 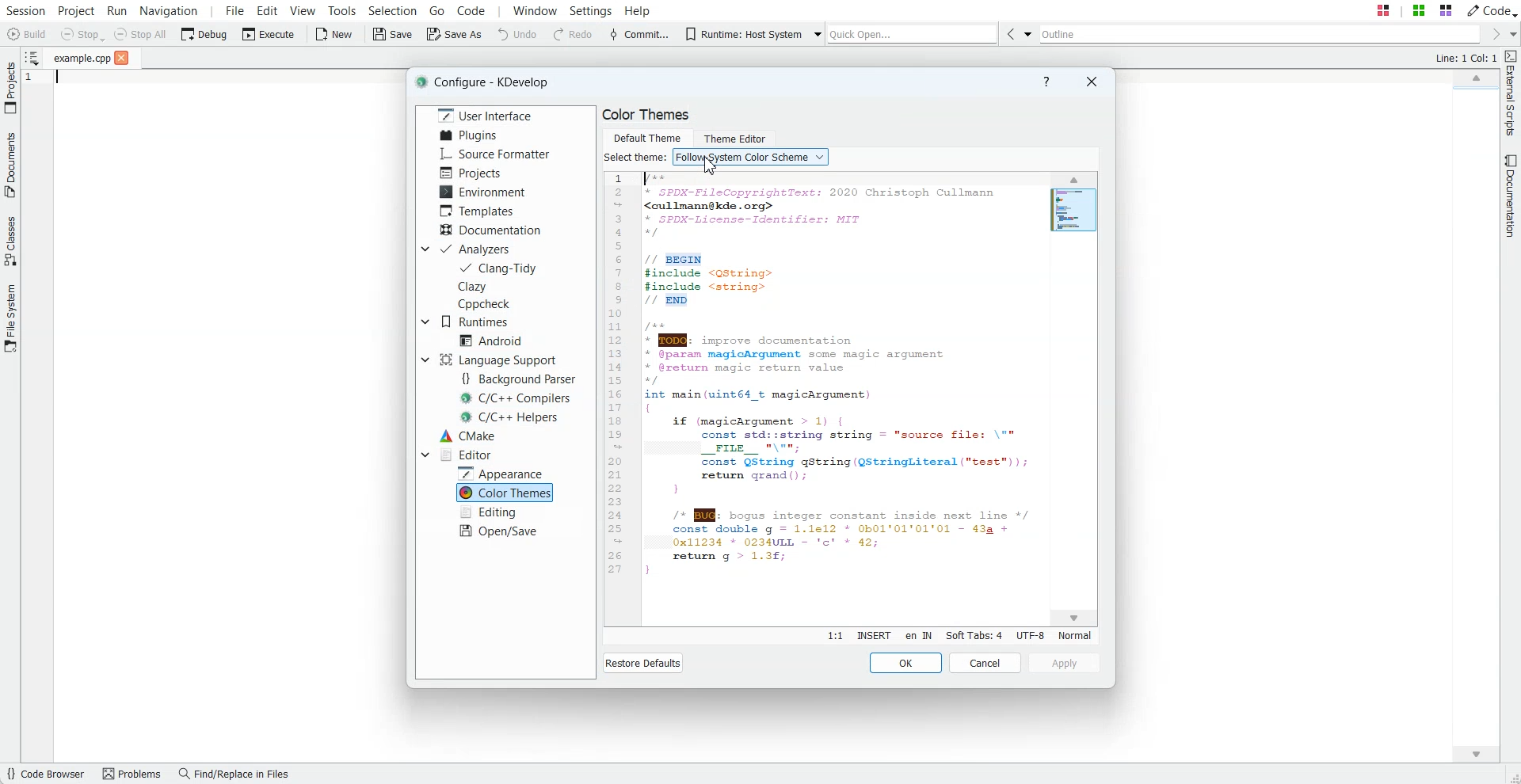 What do you see at coordinates (336, 35) in the screenshot?
I see `New` at bounding box center [336, 35].